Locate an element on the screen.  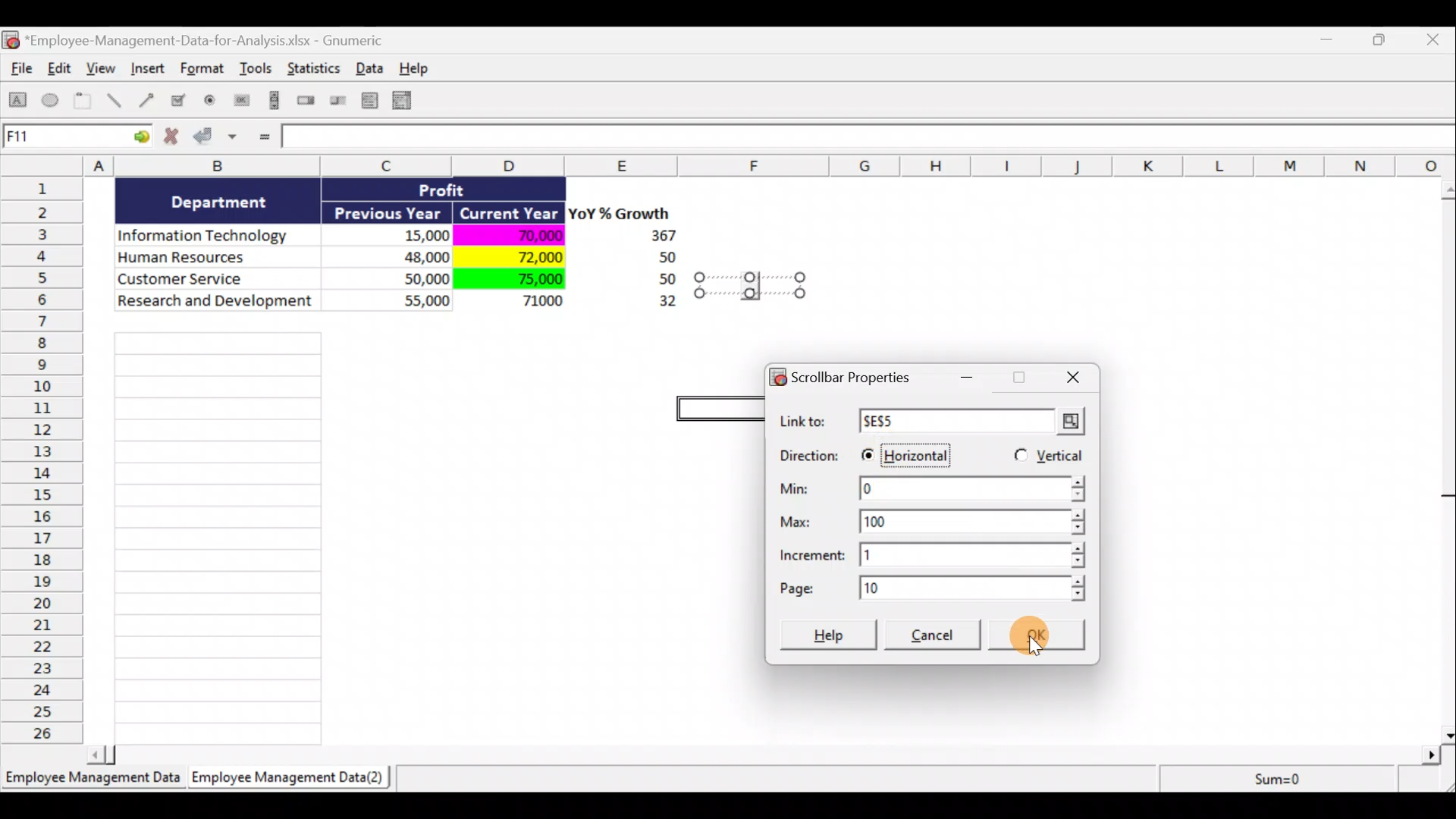
Accept changes is located at coordinates (218, 142).